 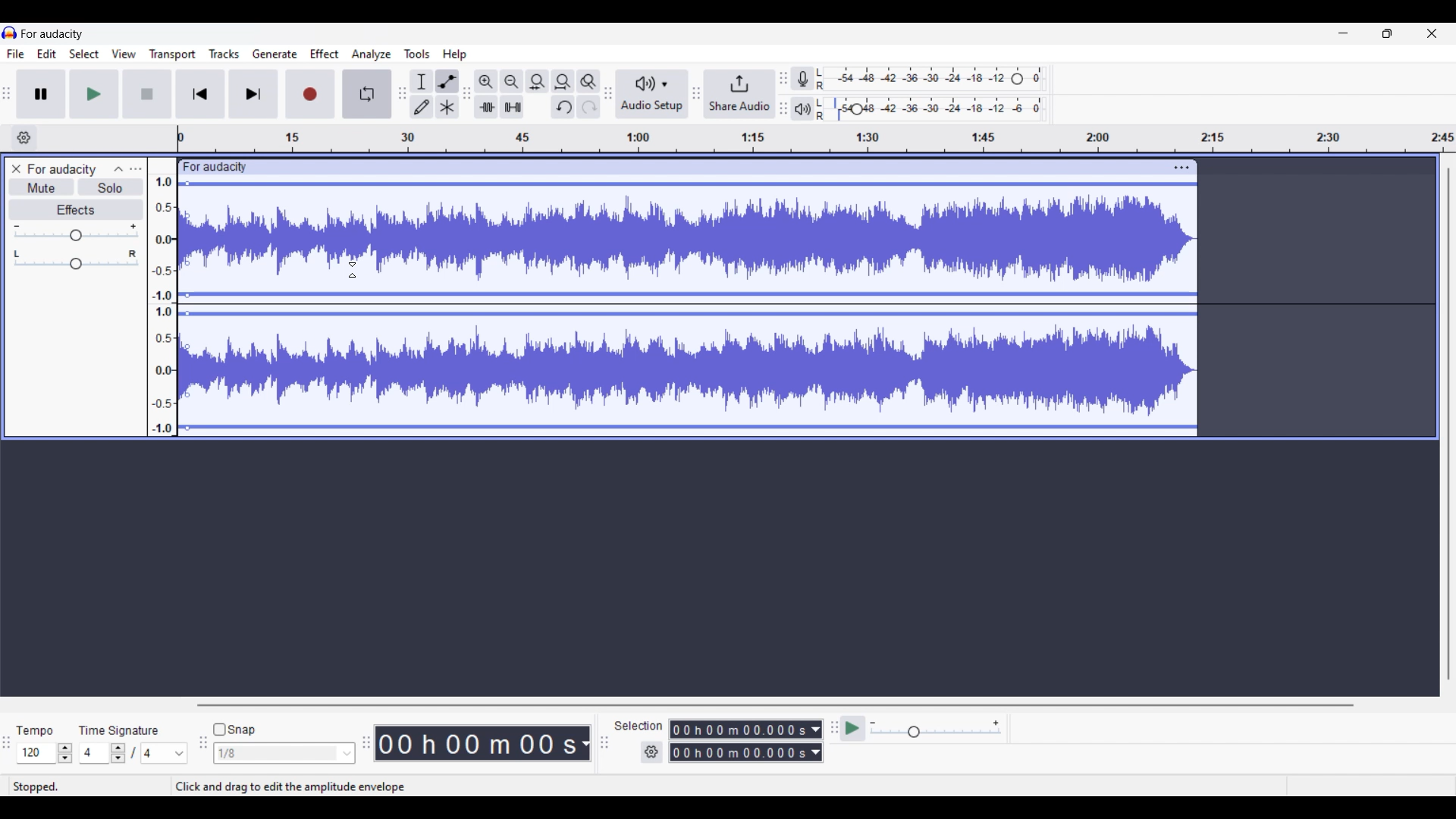 What do you see at coordinates (284, 754) in the screenshot?
I see `Snap options` at bounding box center [284, 754].